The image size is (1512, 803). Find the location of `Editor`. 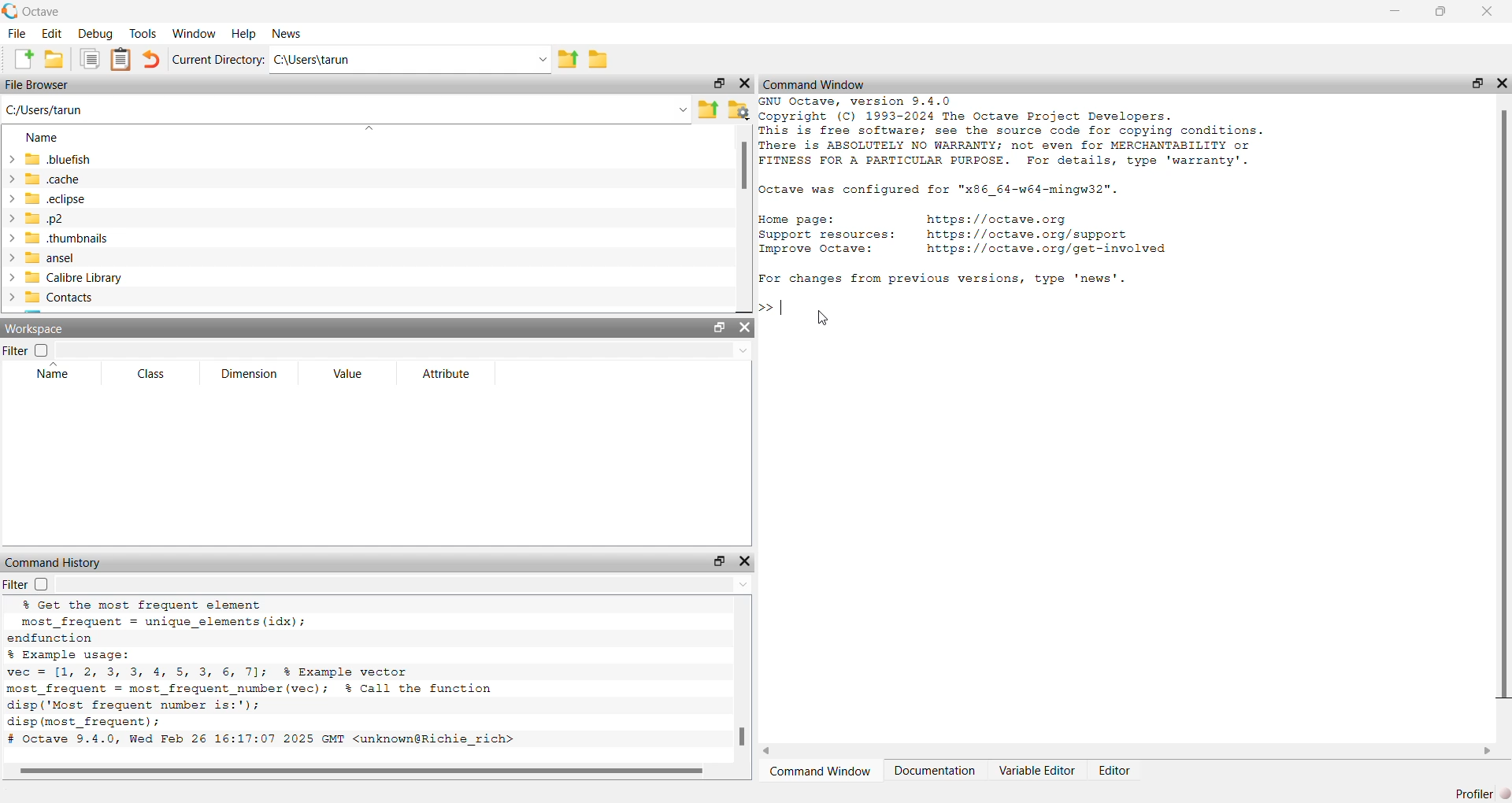

Editor is located at coordinates (1114, 771).